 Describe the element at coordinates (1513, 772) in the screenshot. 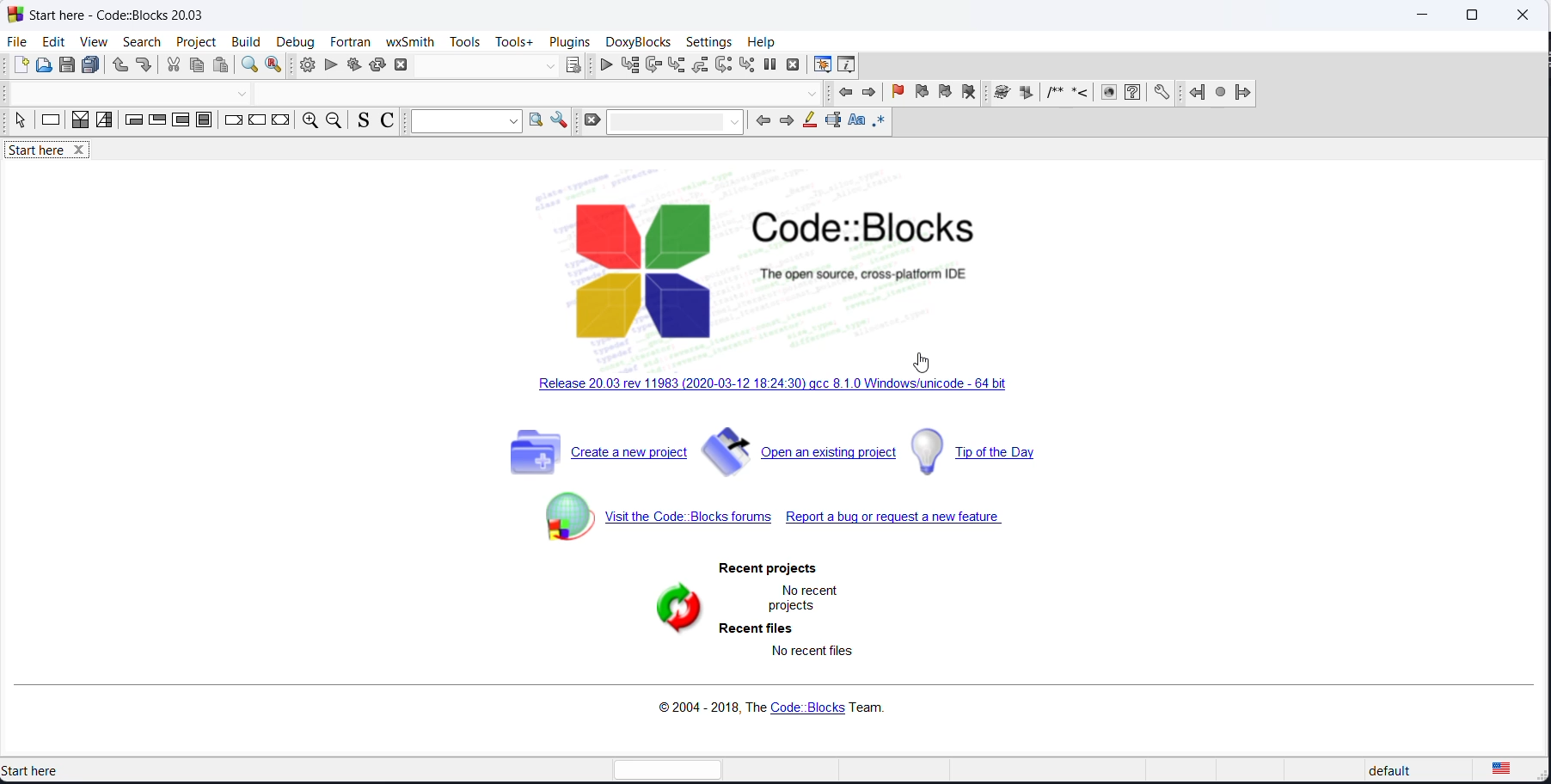

I see `text languge` at that location.